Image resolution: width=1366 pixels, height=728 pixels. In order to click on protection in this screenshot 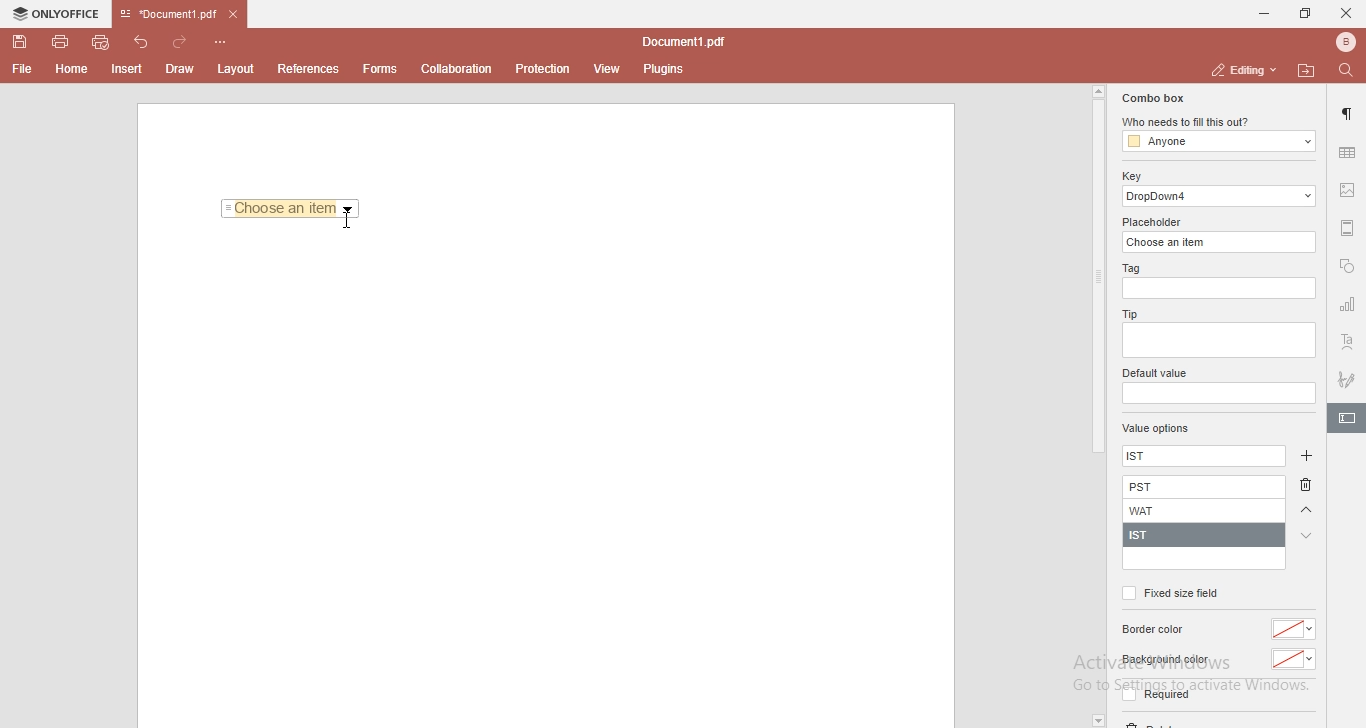, I will do `click(543, 68)`.